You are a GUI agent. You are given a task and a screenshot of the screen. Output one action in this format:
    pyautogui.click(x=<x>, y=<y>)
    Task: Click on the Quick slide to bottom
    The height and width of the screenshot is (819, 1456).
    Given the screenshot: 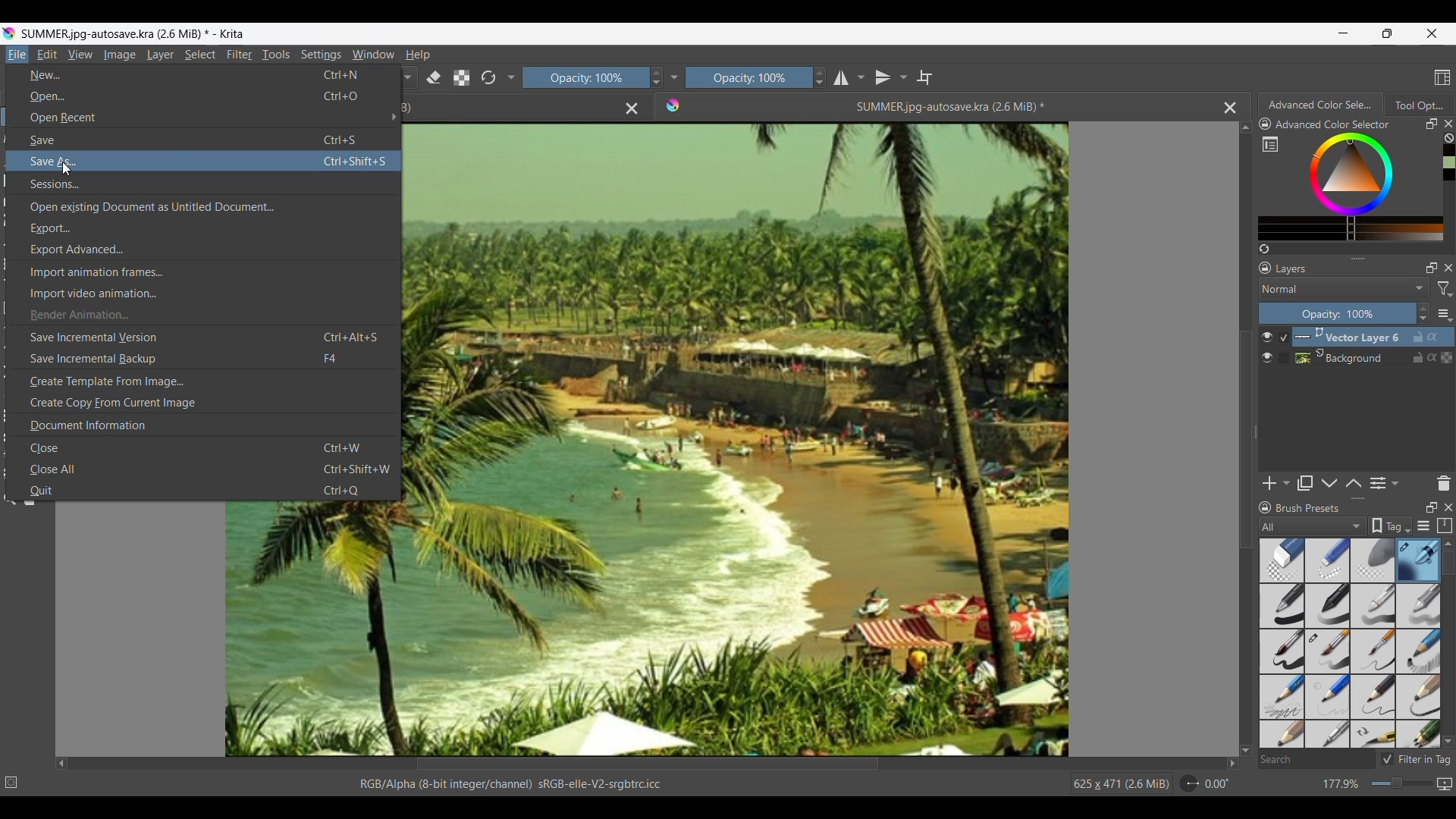 What is the action you would take?
    pyautogui.click(x=1448, y=742)
    